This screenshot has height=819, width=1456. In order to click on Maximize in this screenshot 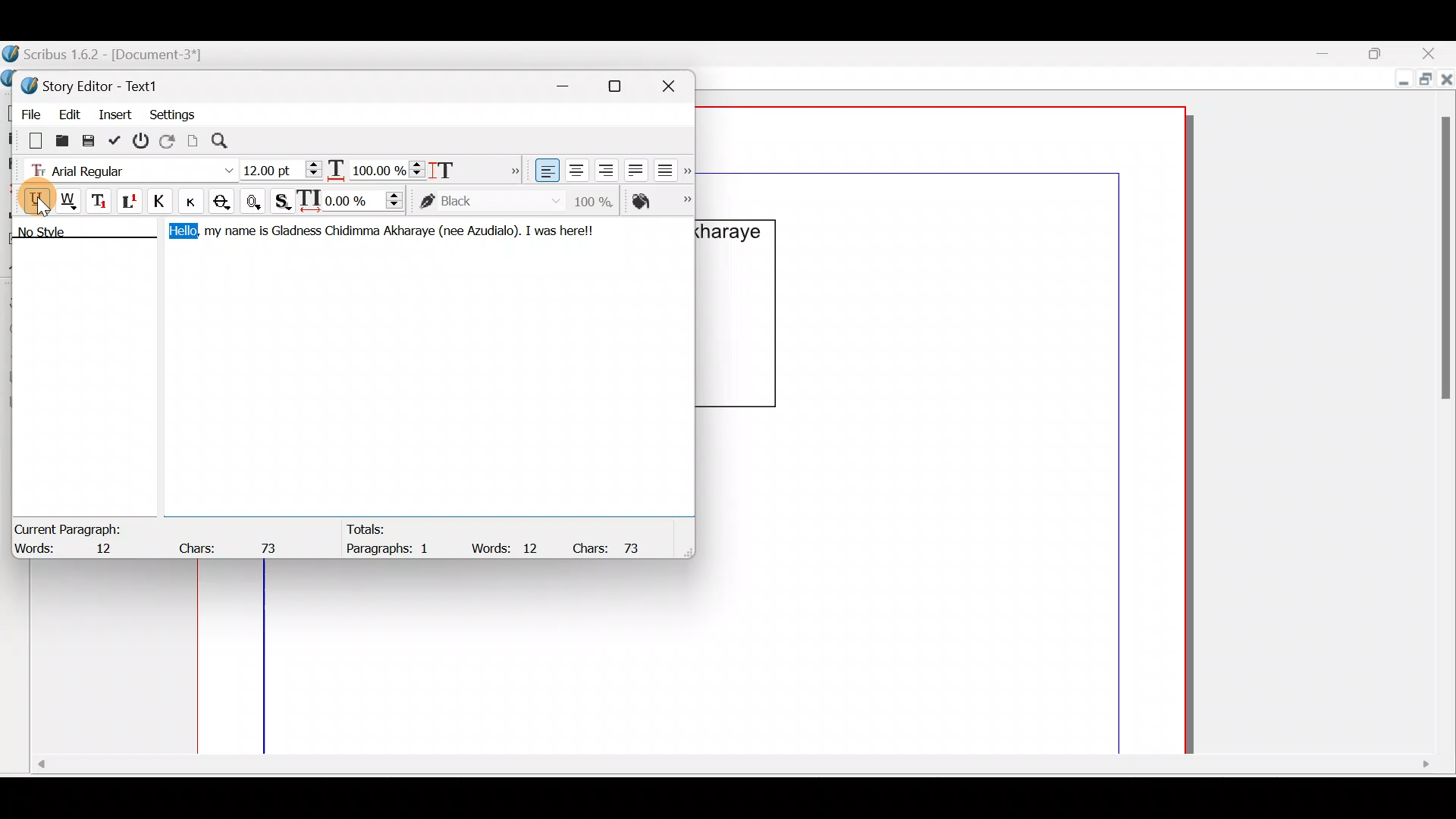, I will do `click(1384, 52)`.